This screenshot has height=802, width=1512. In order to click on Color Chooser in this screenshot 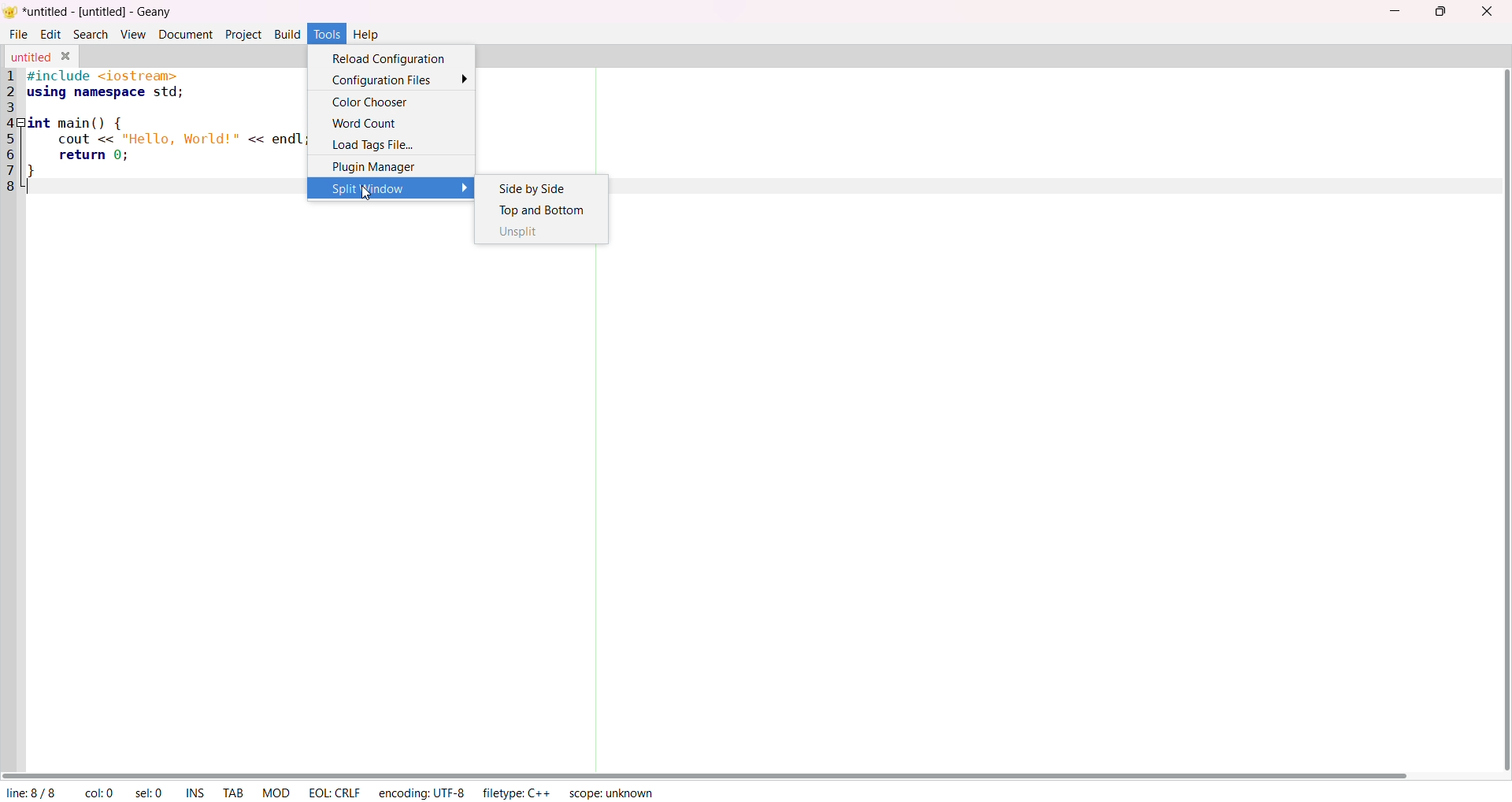, I will do `click(373, 100)`.